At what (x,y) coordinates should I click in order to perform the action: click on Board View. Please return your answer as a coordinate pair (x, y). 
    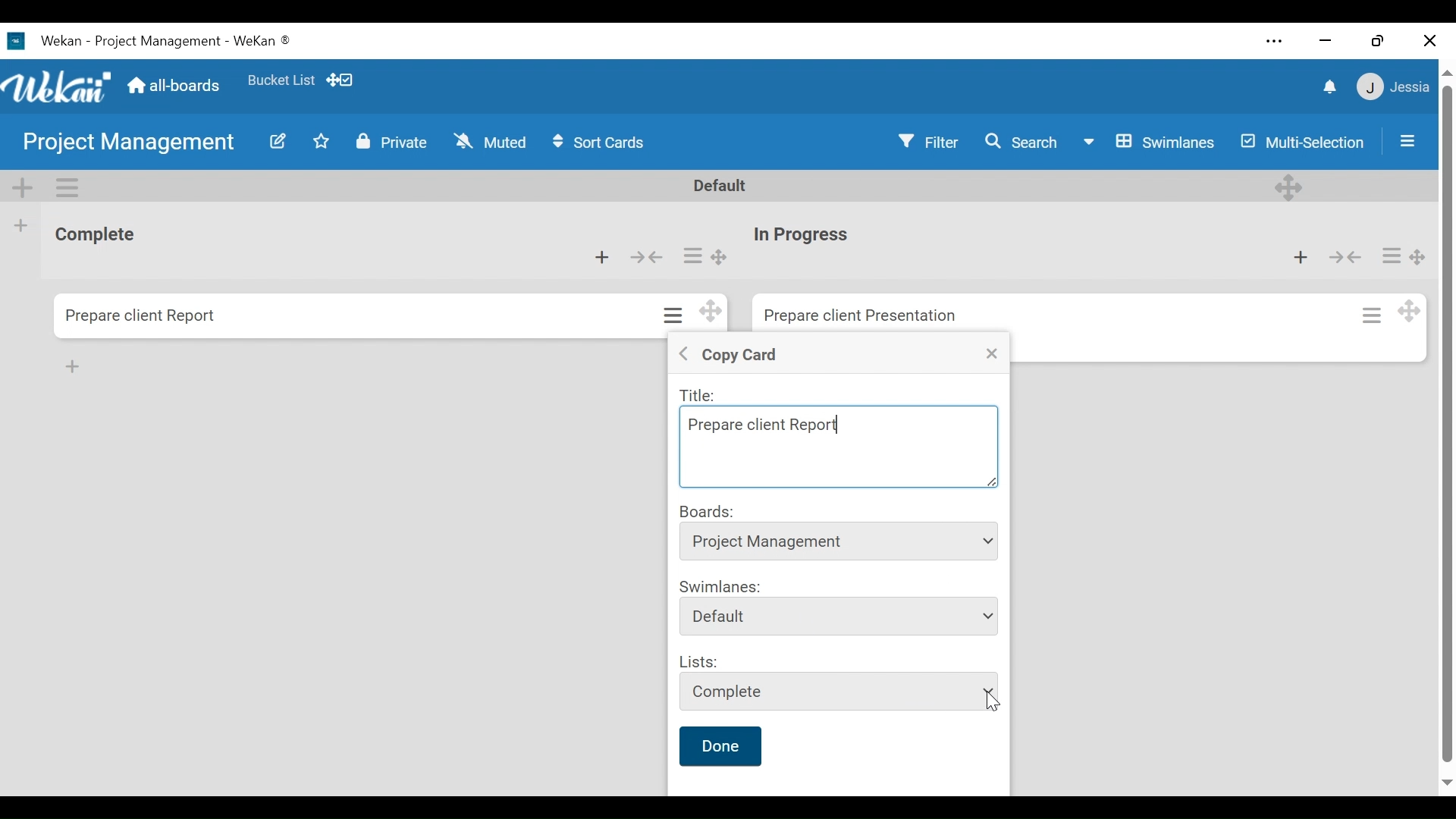
    Looking at the image, I should click on (1149, 141).